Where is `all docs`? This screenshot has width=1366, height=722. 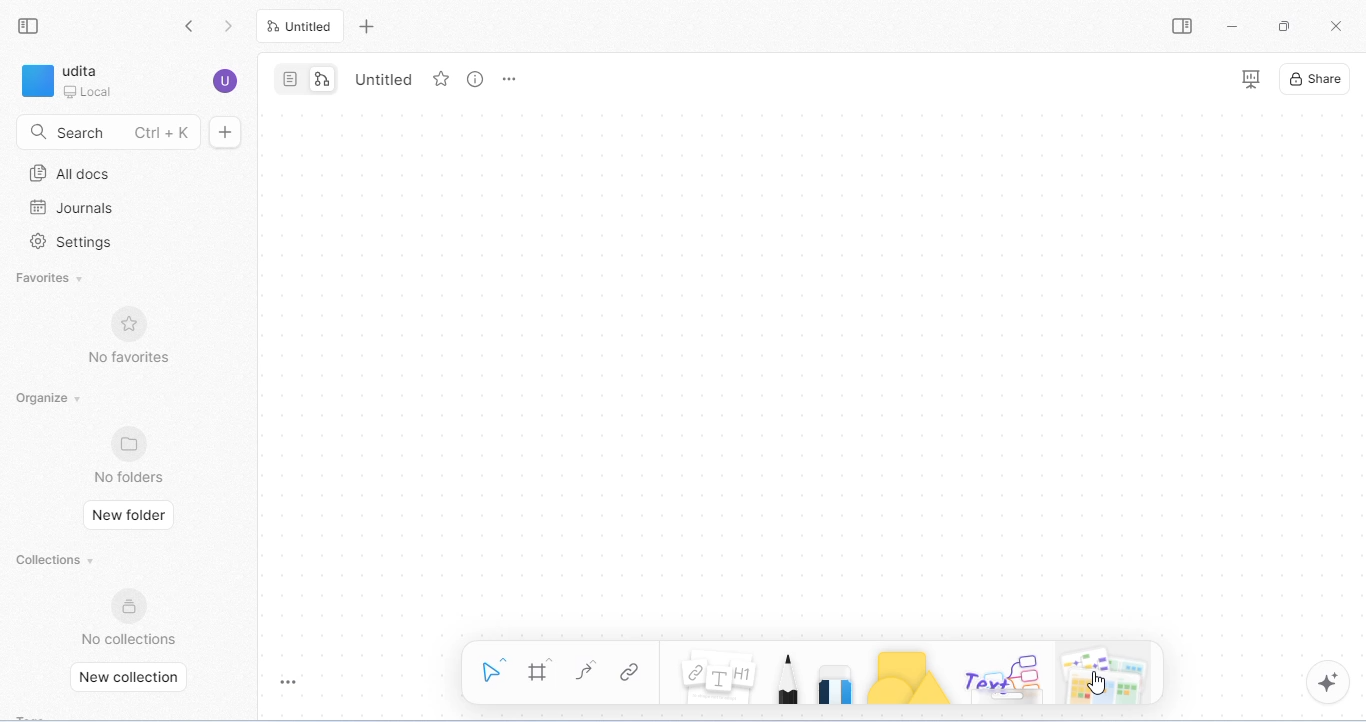 all docs is located at coordinates (71, 174).